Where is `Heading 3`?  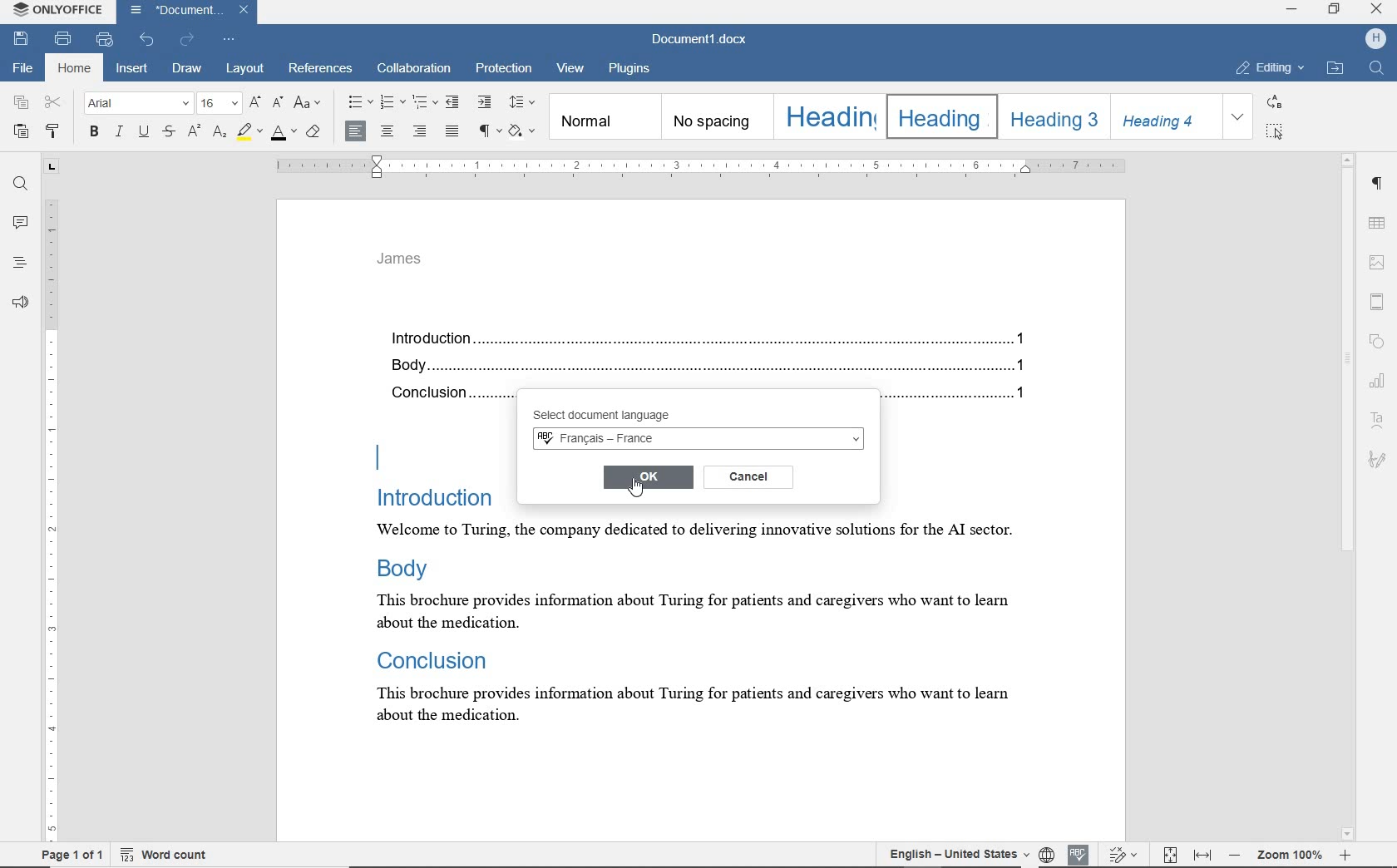
Heading 3 is located at coordinates (1051, 116).